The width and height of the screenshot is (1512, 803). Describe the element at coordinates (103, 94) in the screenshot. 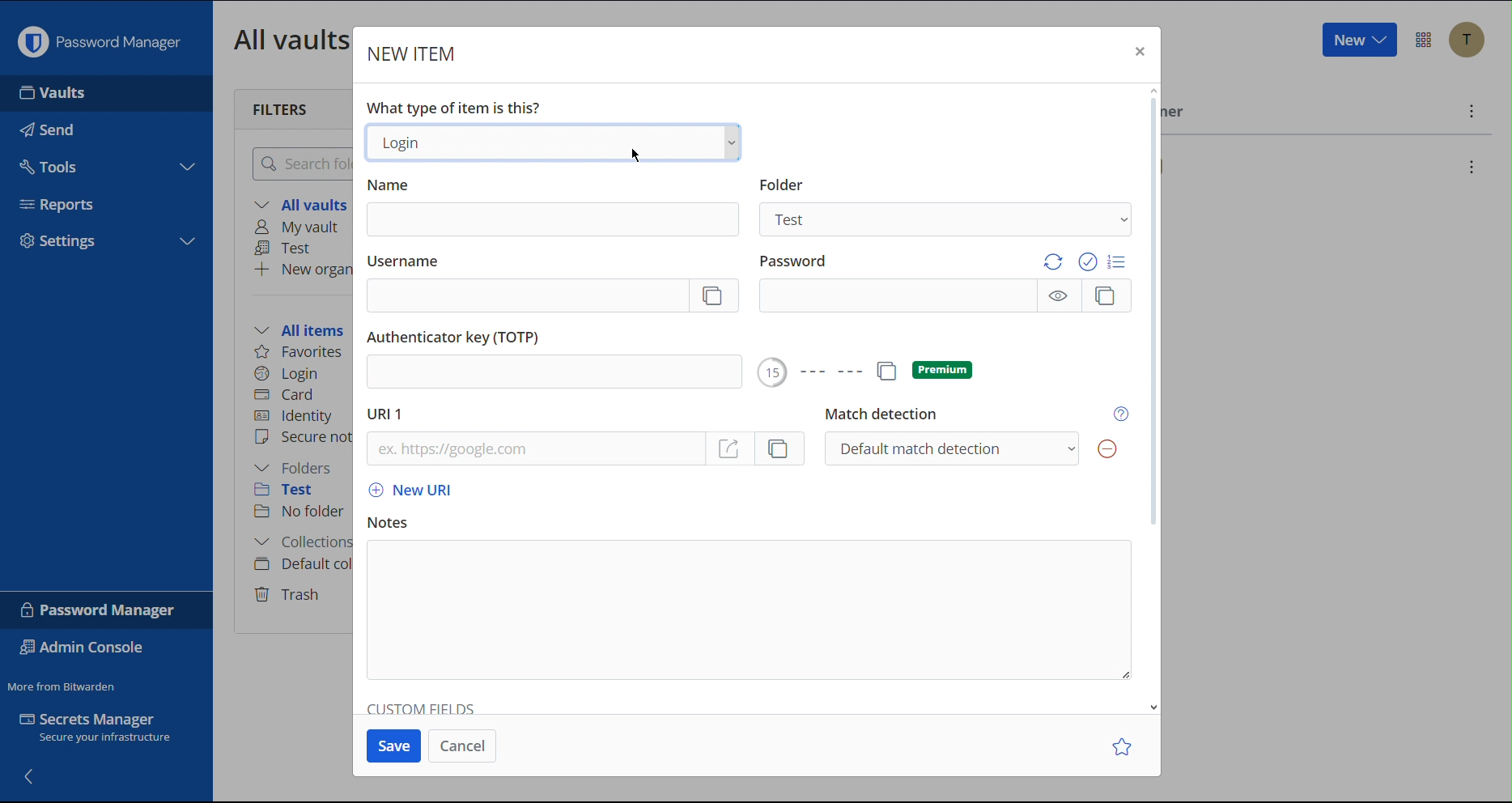

I see `Vaults` at that location.